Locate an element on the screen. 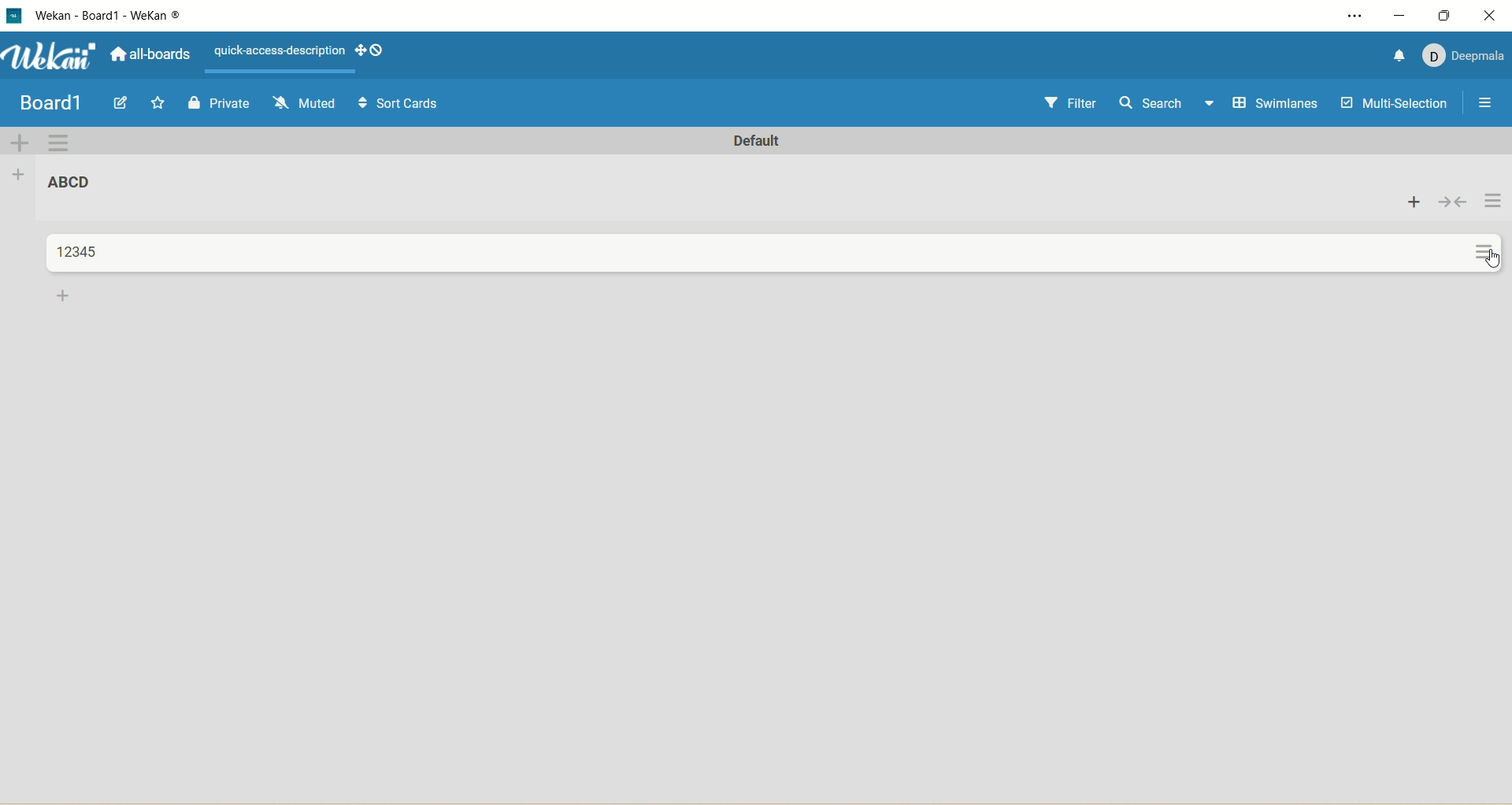  sort cards is located at coordinates (402, 103).